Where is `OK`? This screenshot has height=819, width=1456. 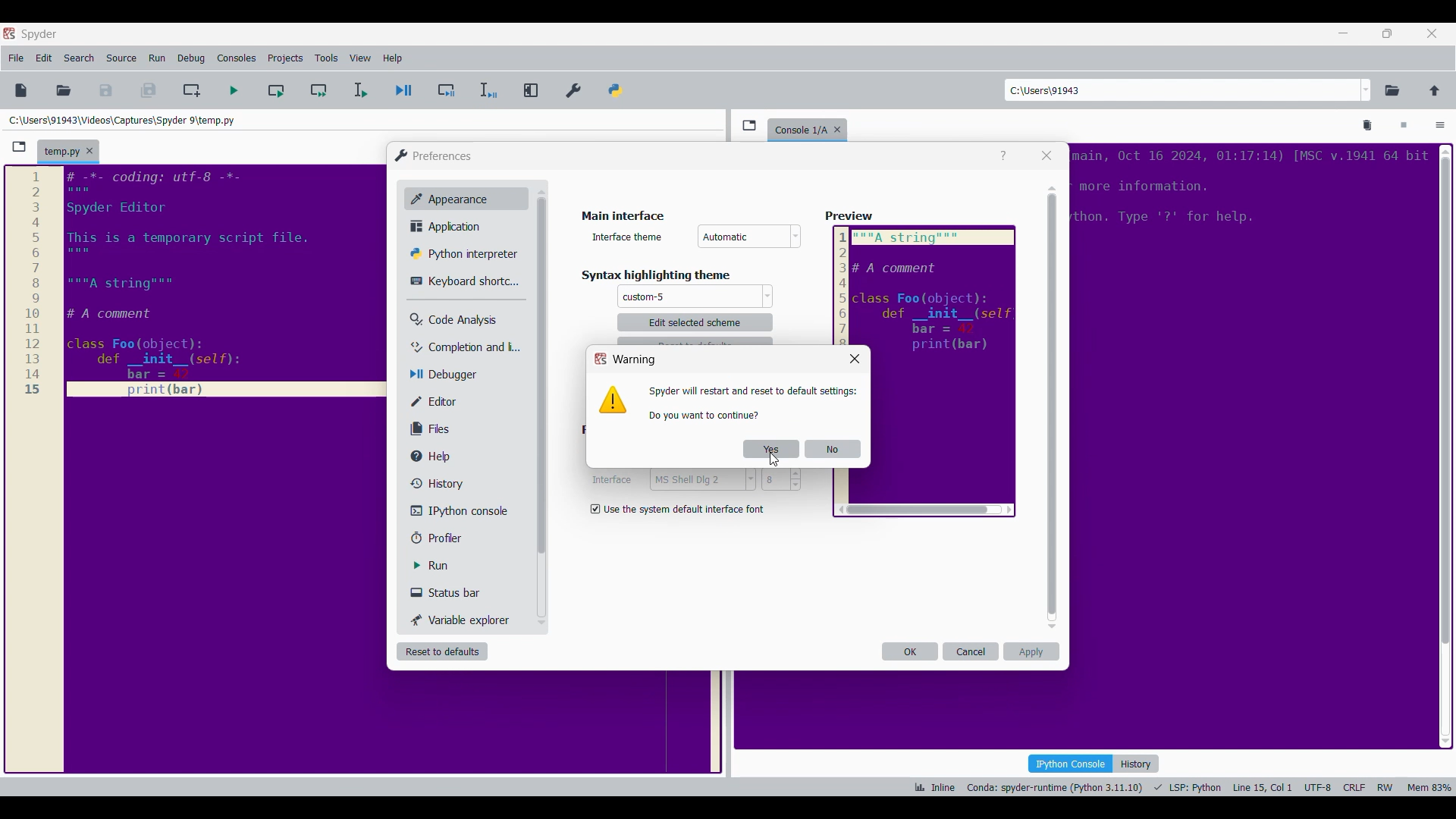 OK is located at coordinates (910, 651).